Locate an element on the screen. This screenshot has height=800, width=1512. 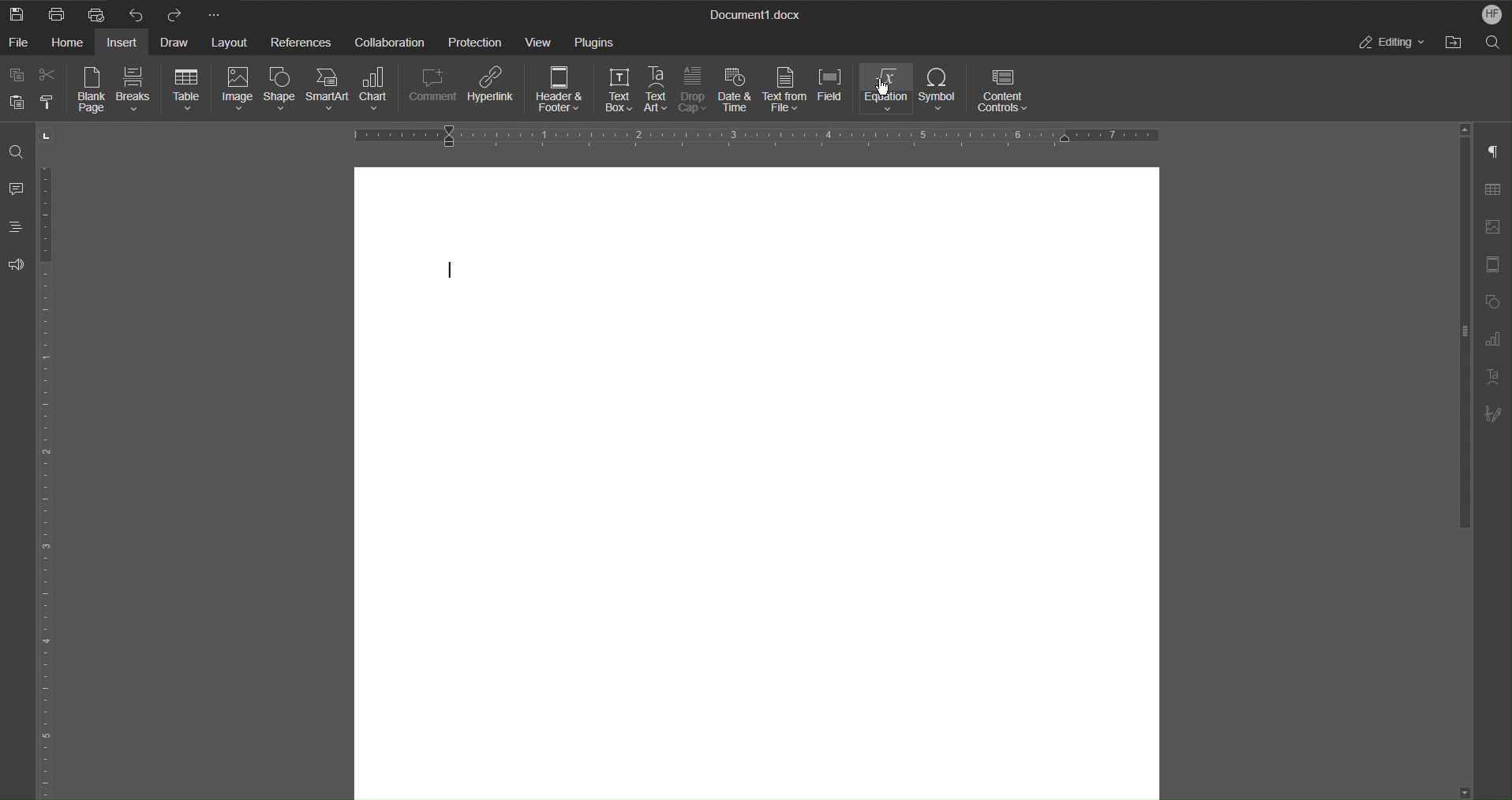
Content Controls is located at coordinates (1002, 91).